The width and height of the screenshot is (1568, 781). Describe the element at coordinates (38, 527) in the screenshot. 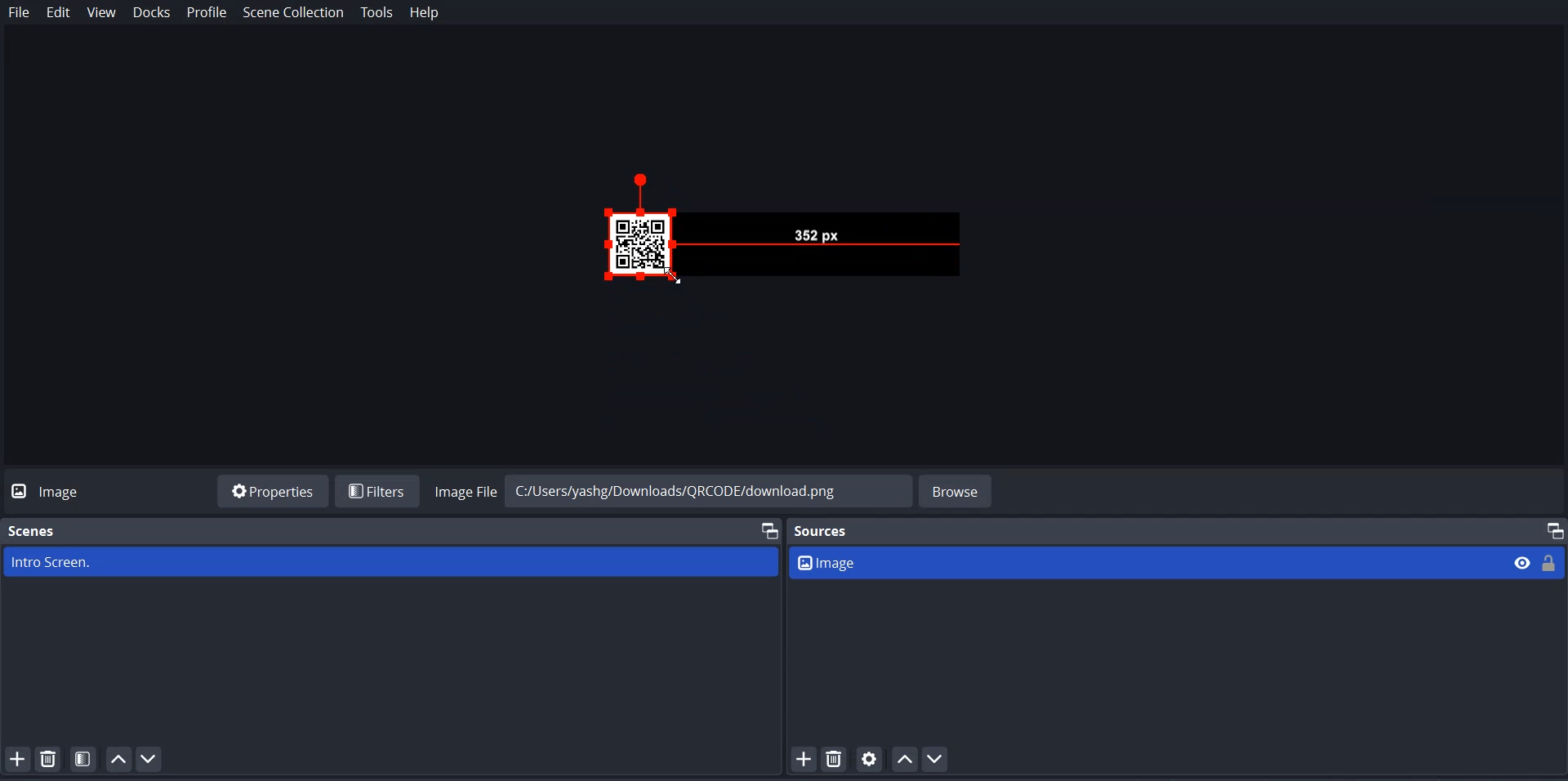

I see `Scenes` at that location.